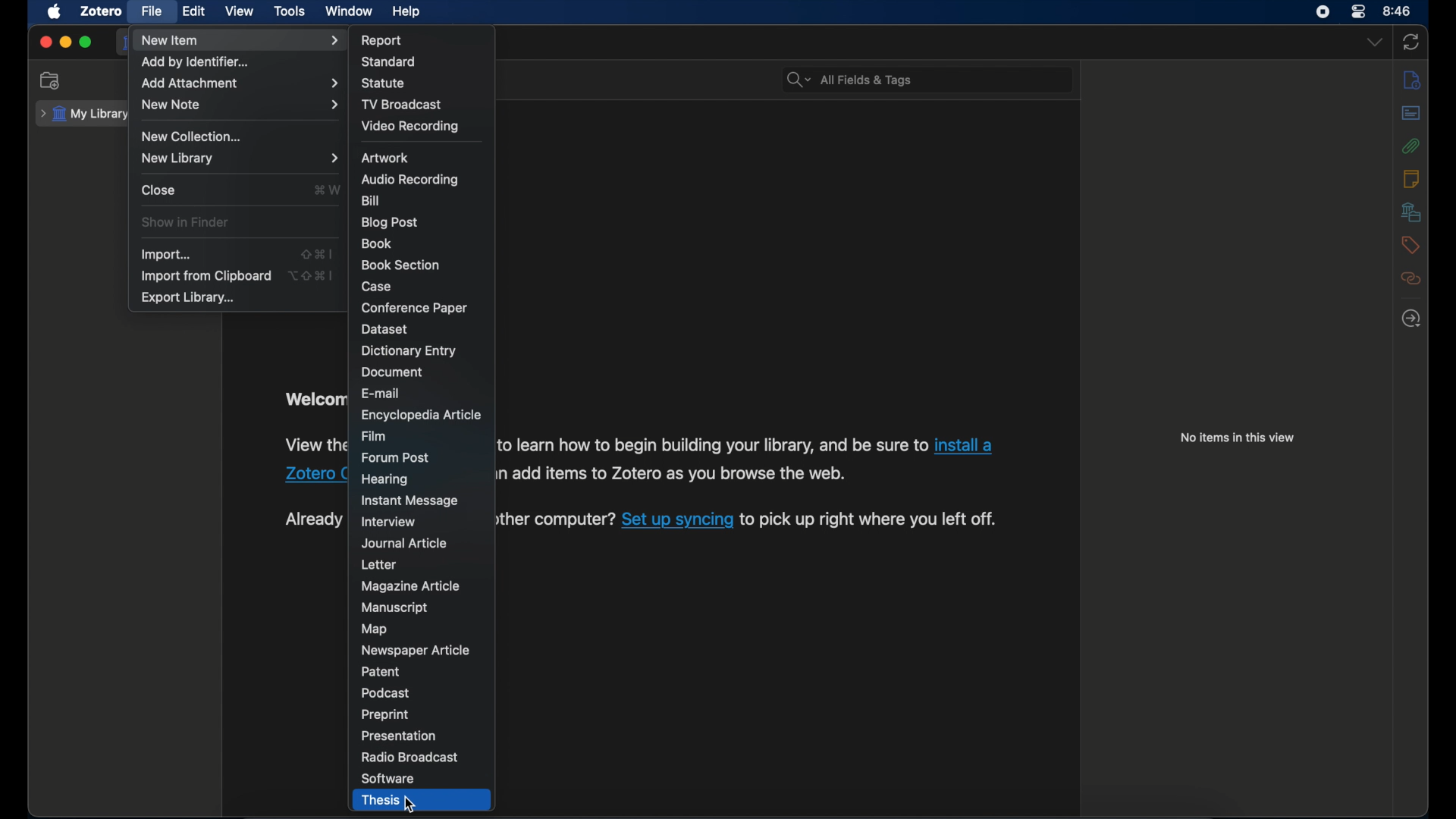 Image resolution: width=1456 pixels, height=819 pixels. Describe the element at coordinates (314, 275) in the screenshot. I see `shortcut` at that location.